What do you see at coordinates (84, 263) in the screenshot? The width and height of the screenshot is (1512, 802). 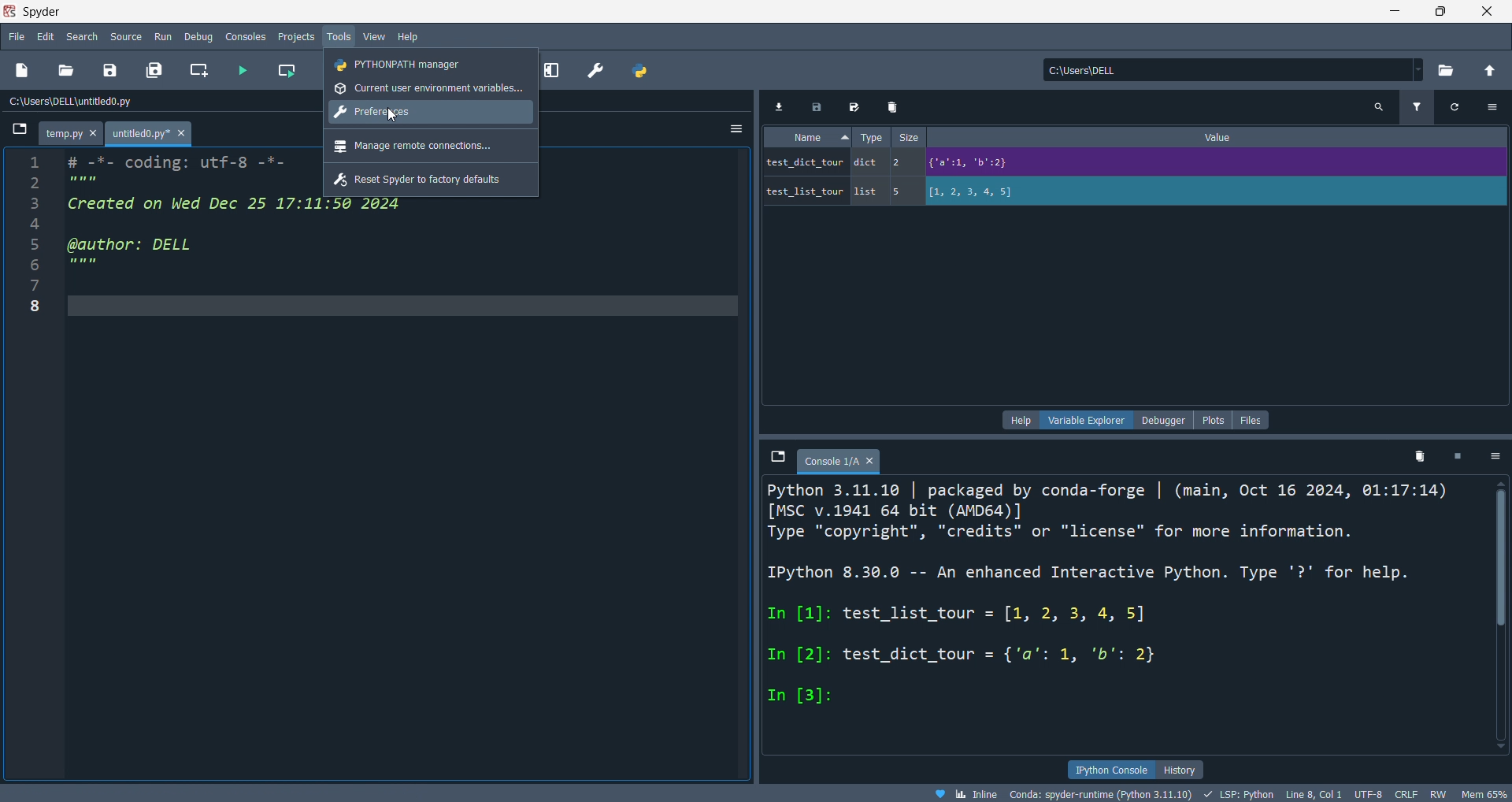 I see `6 """"` at bounding box center [84, 263].